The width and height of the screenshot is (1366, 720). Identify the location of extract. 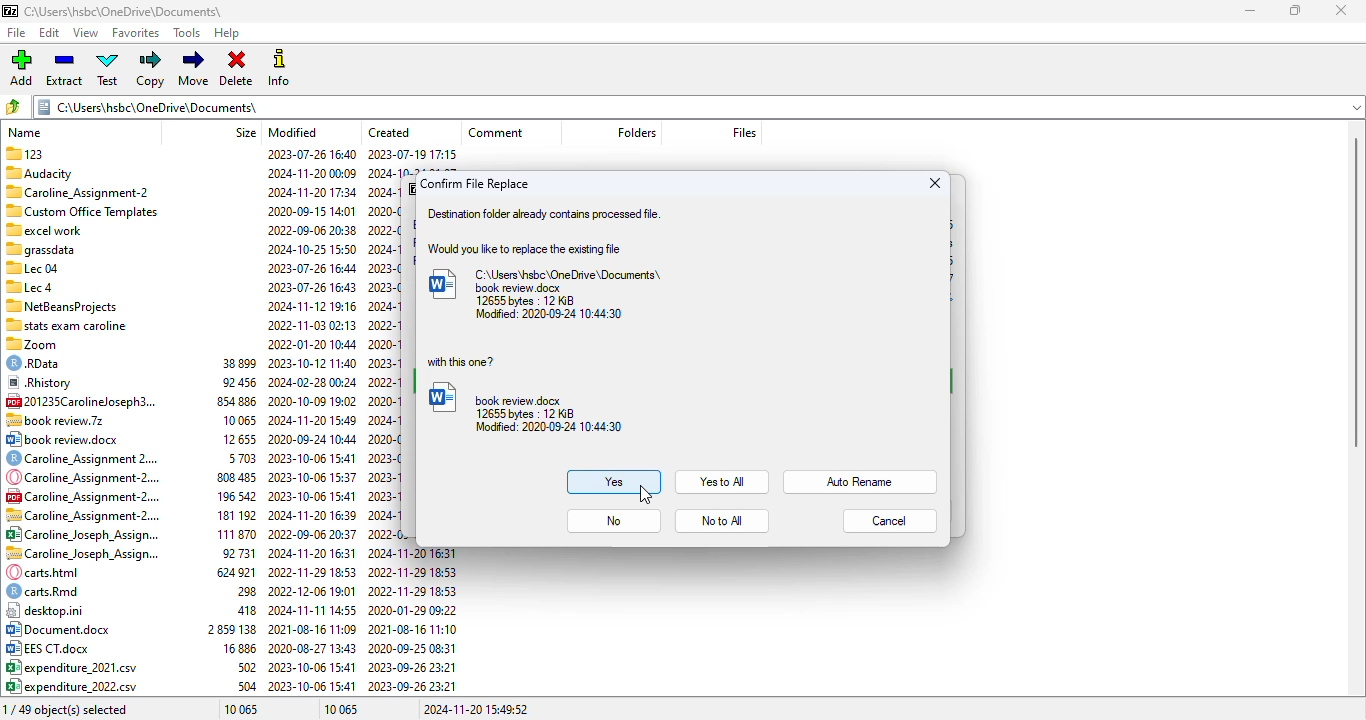
(64, 68).